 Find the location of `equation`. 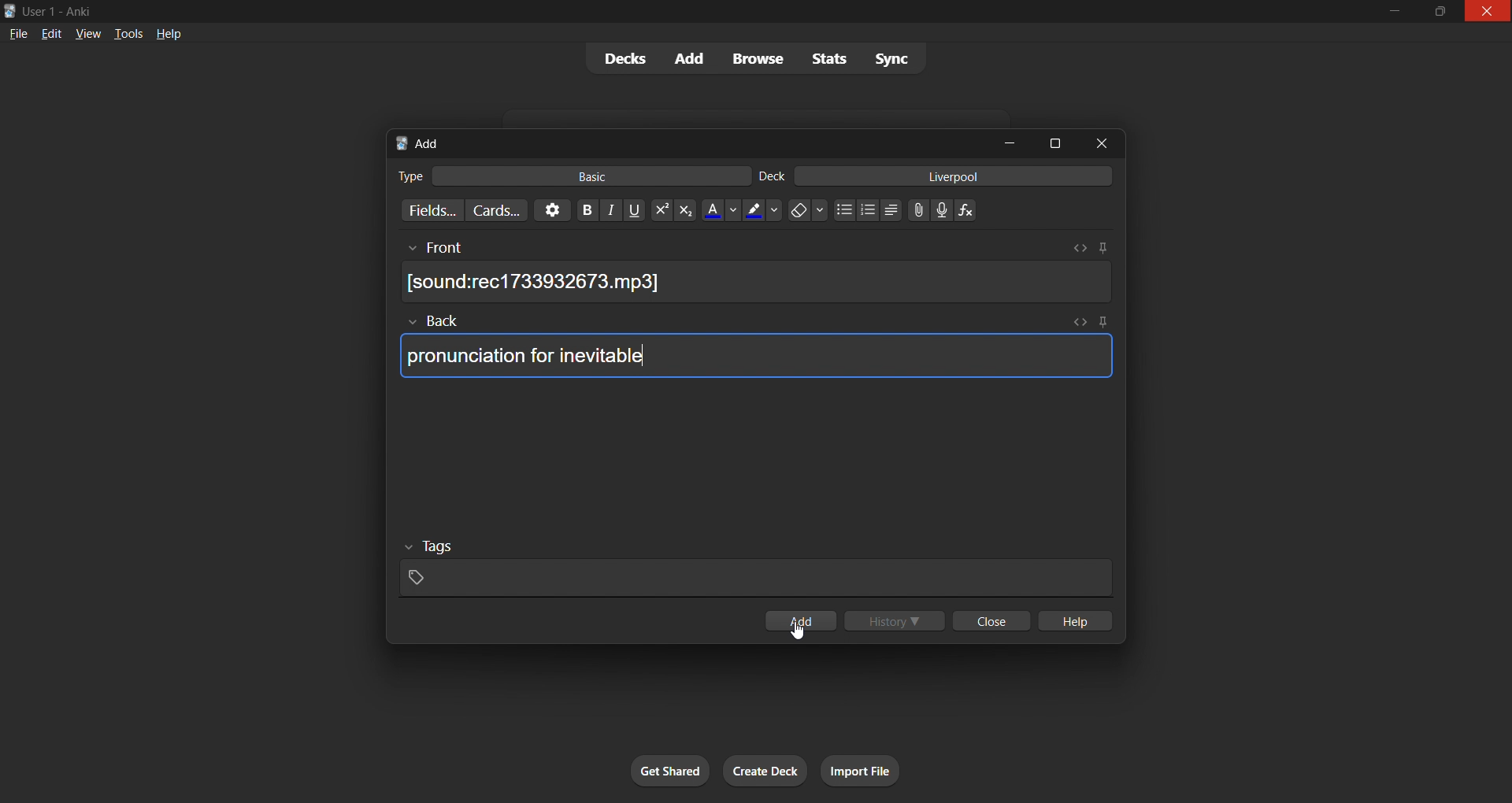

equation is located at coordinates (969, 211).